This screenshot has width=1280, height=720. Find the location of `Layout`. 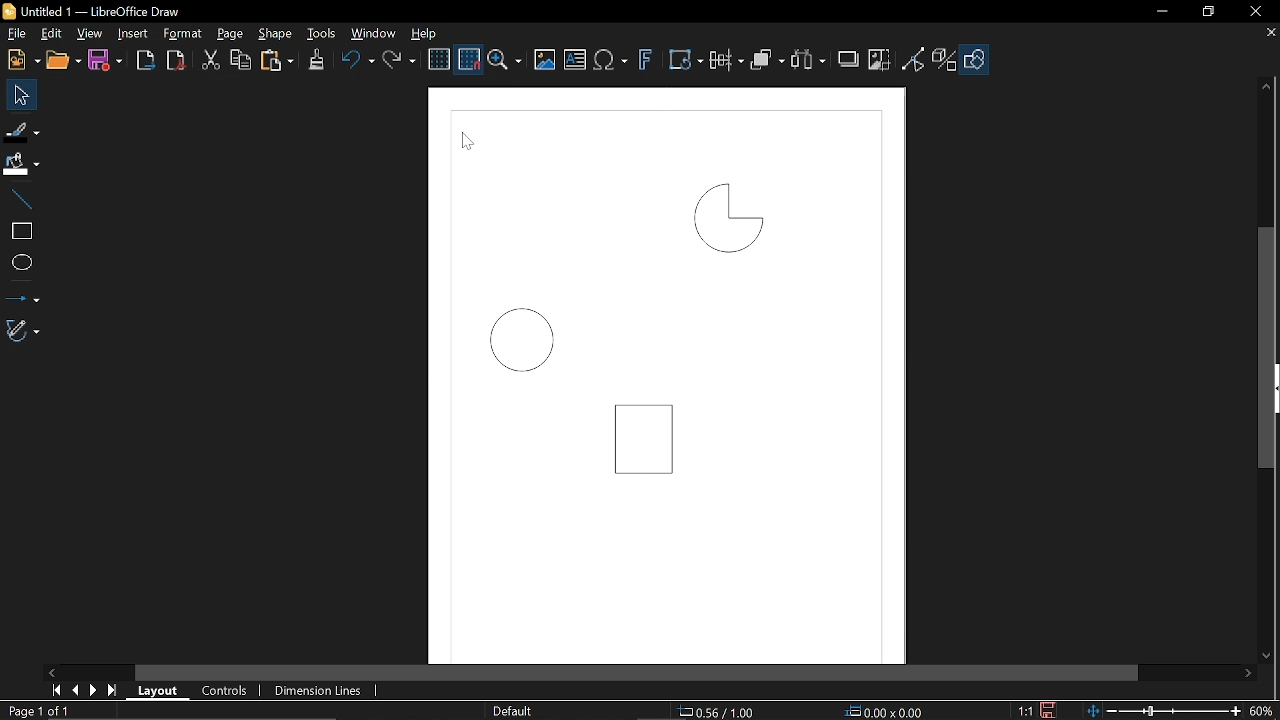

Layout is located at coordinates (158, 691).